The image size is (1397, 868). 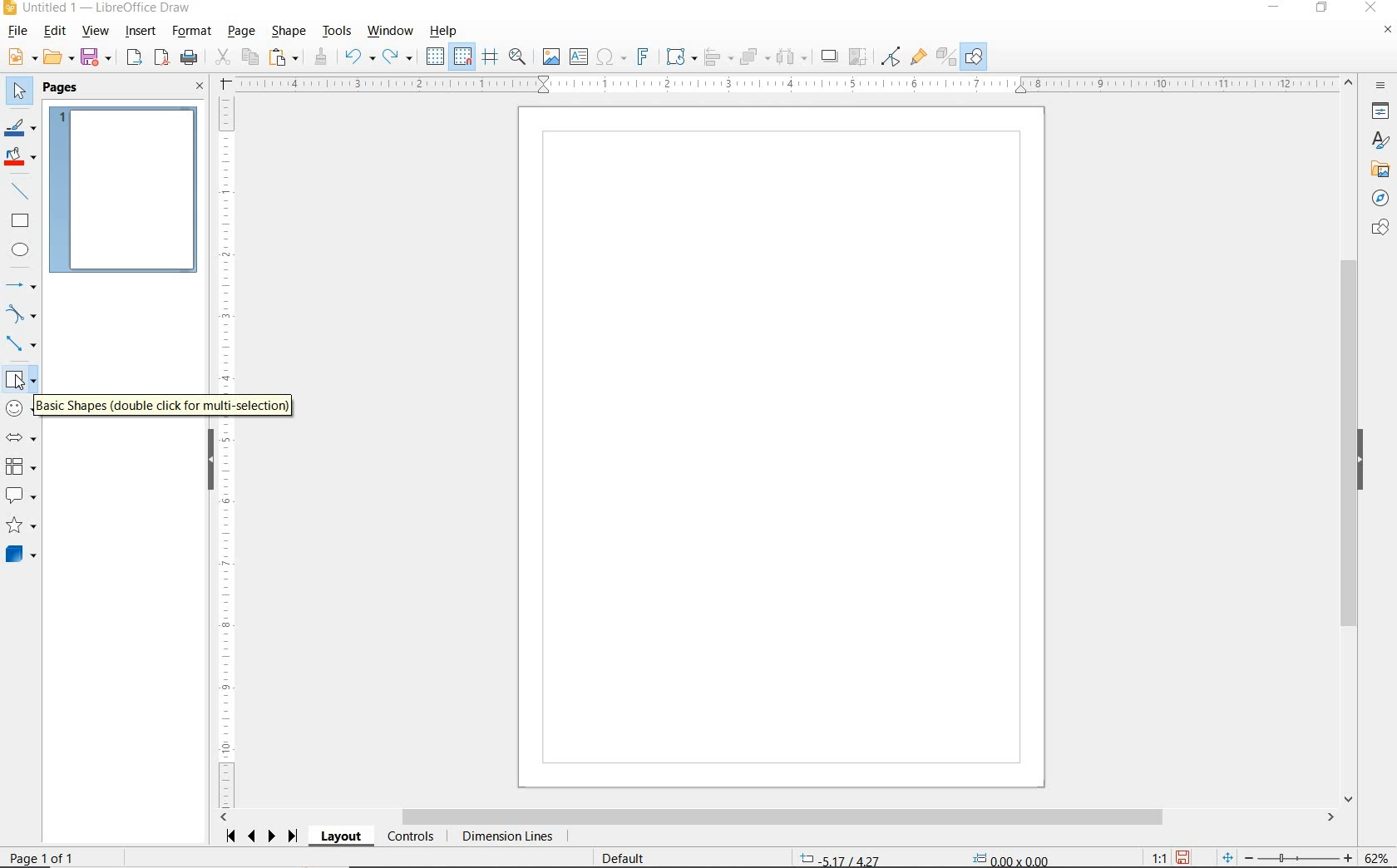 What do you see at coordinates (437, 57) in the screenshot?
I see `DISPLAY GRID` at bounding box center [437, 57].